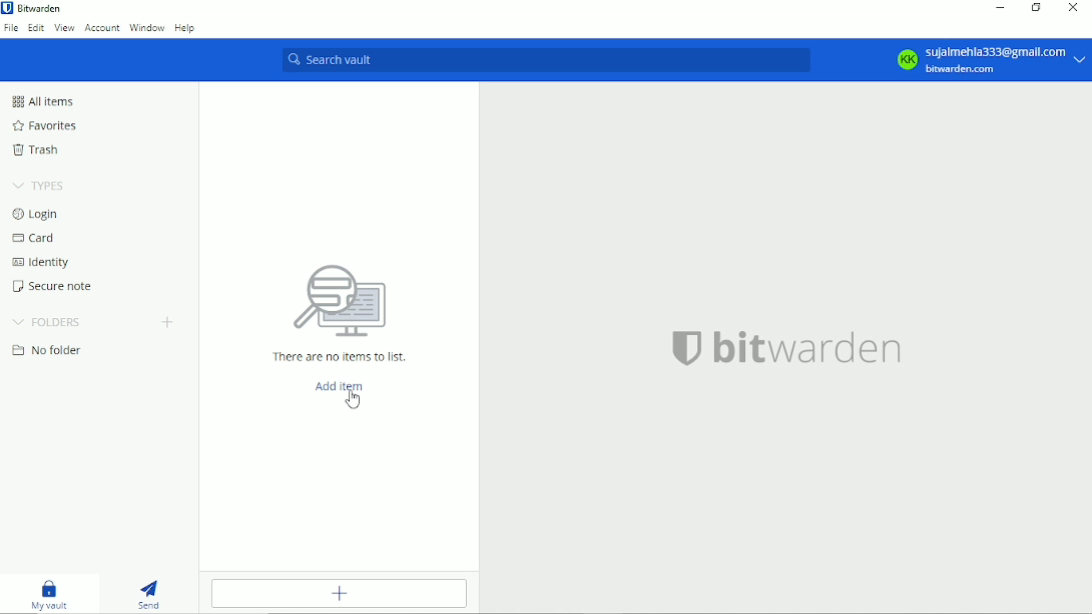 This screenshot has height=614, width=1092. Describe the element at coordinates (40, 263) in the screenshot. I see `Identity` at that location.